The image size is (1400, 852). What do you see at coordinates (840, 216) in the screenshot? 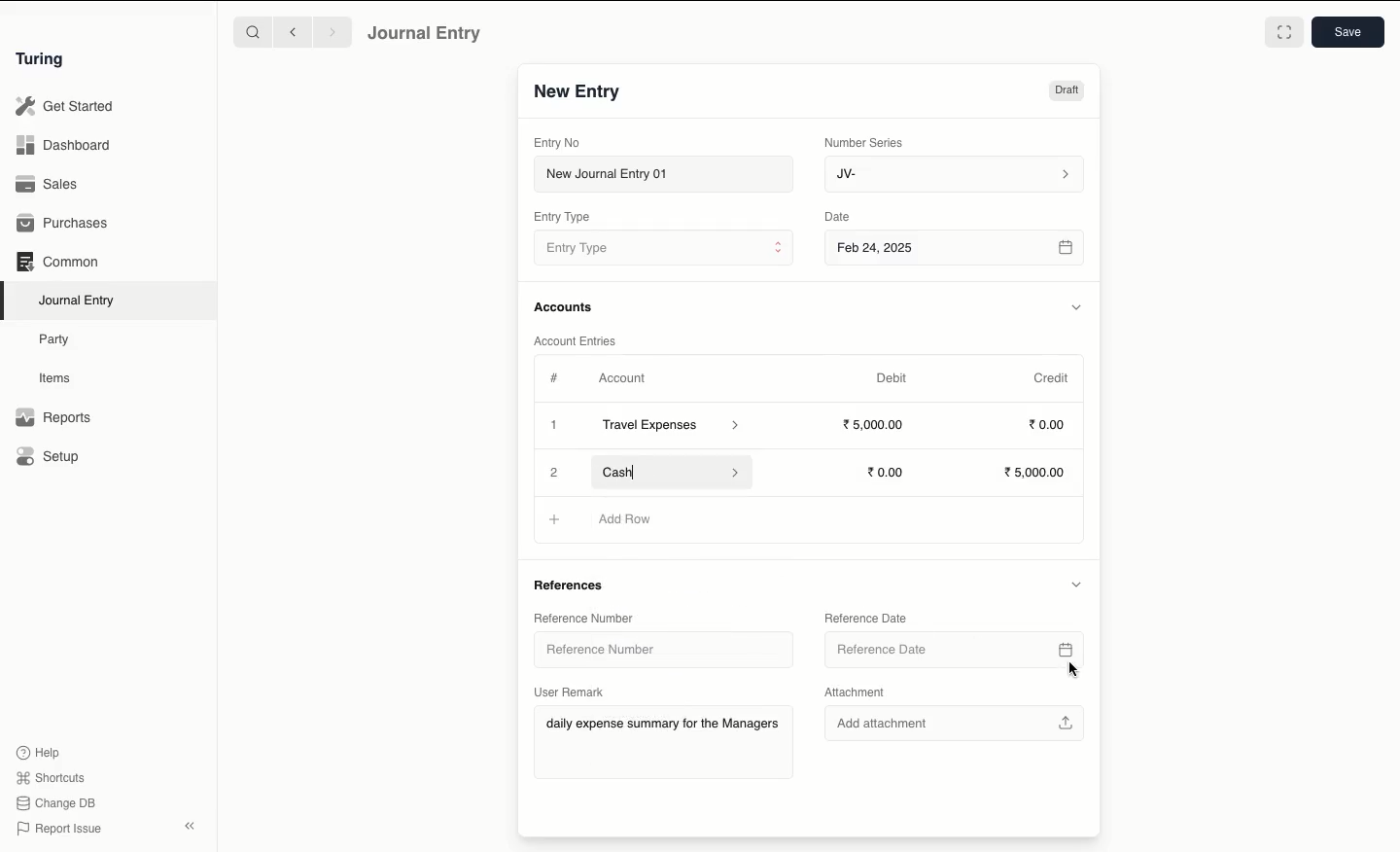
I see `Date` at bounding box center [840, 216].